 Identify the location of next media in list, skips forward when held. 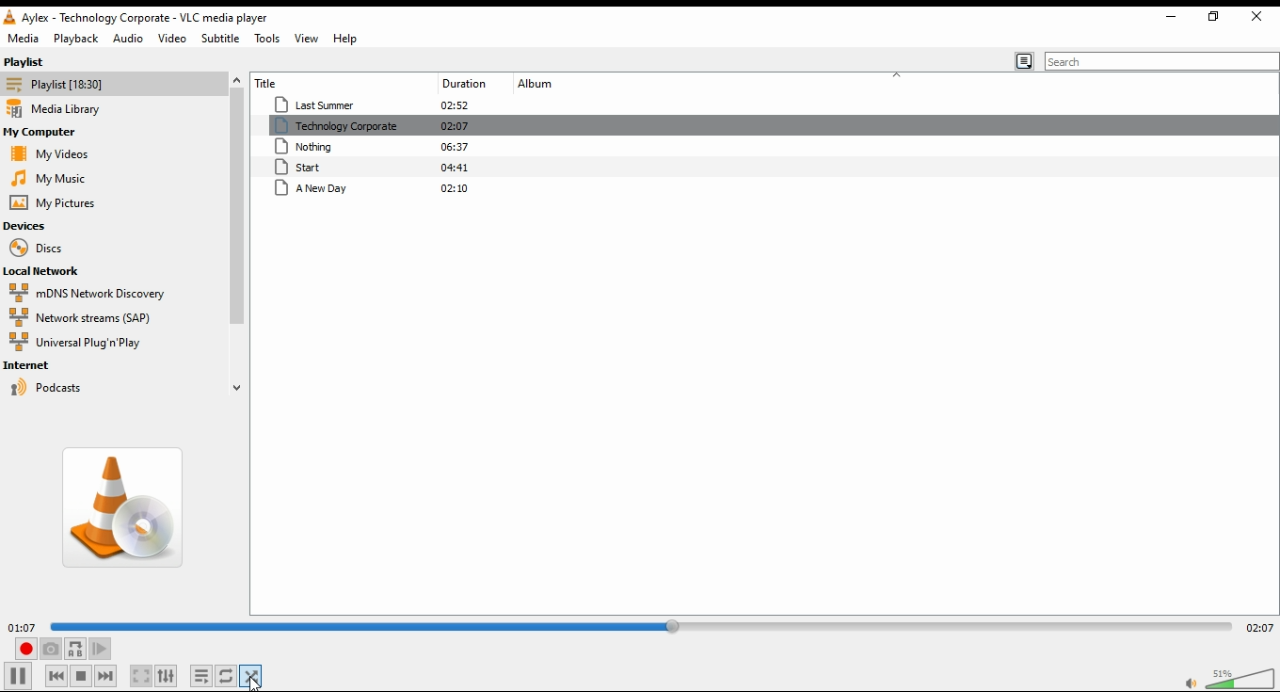
(106, 675).